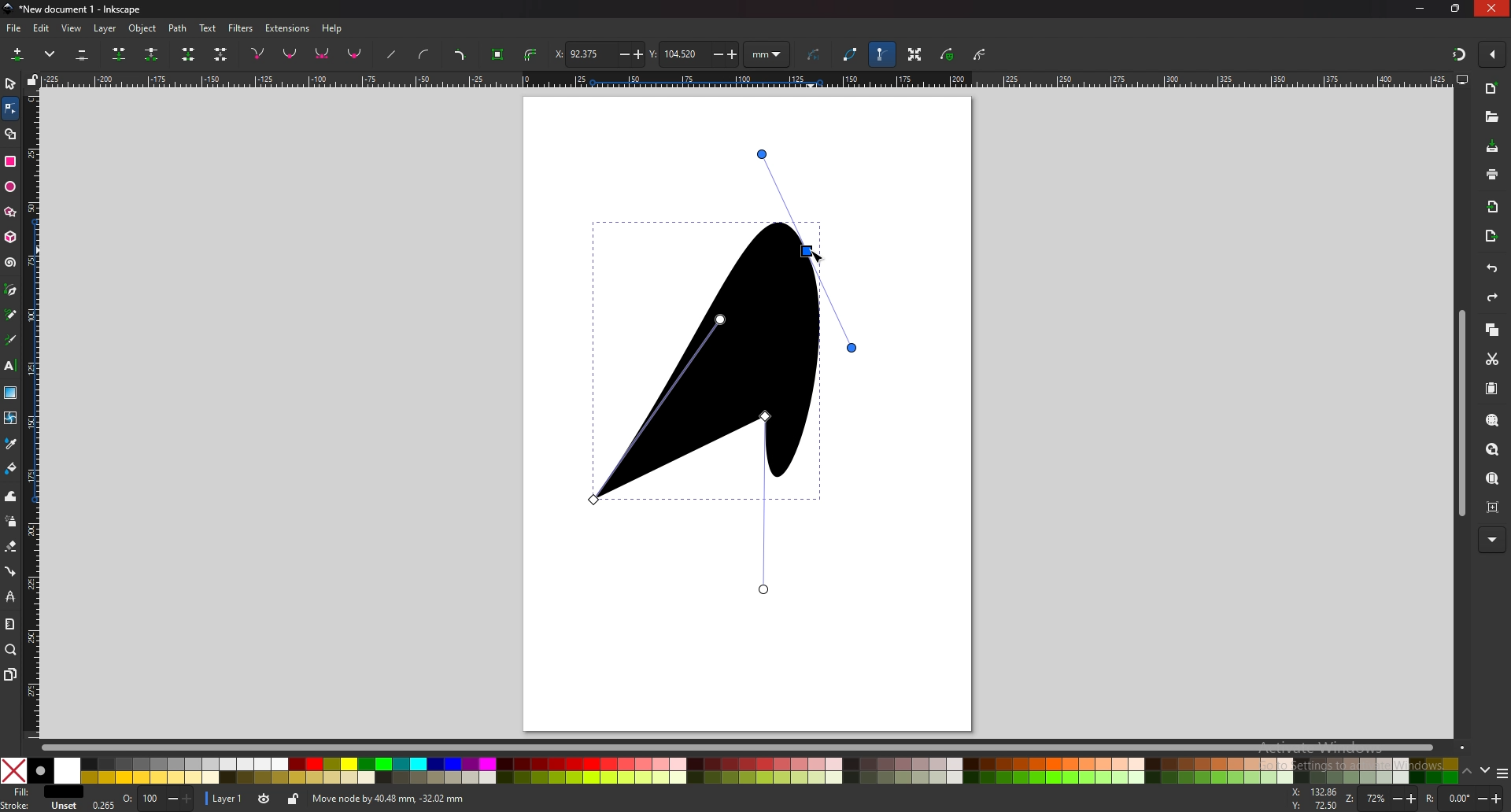 Image resolution: width=1511 pixels, height=812 pixels. Describe the element at coordinates (12, 547) in the screenshot. I see `eraser` at that location.